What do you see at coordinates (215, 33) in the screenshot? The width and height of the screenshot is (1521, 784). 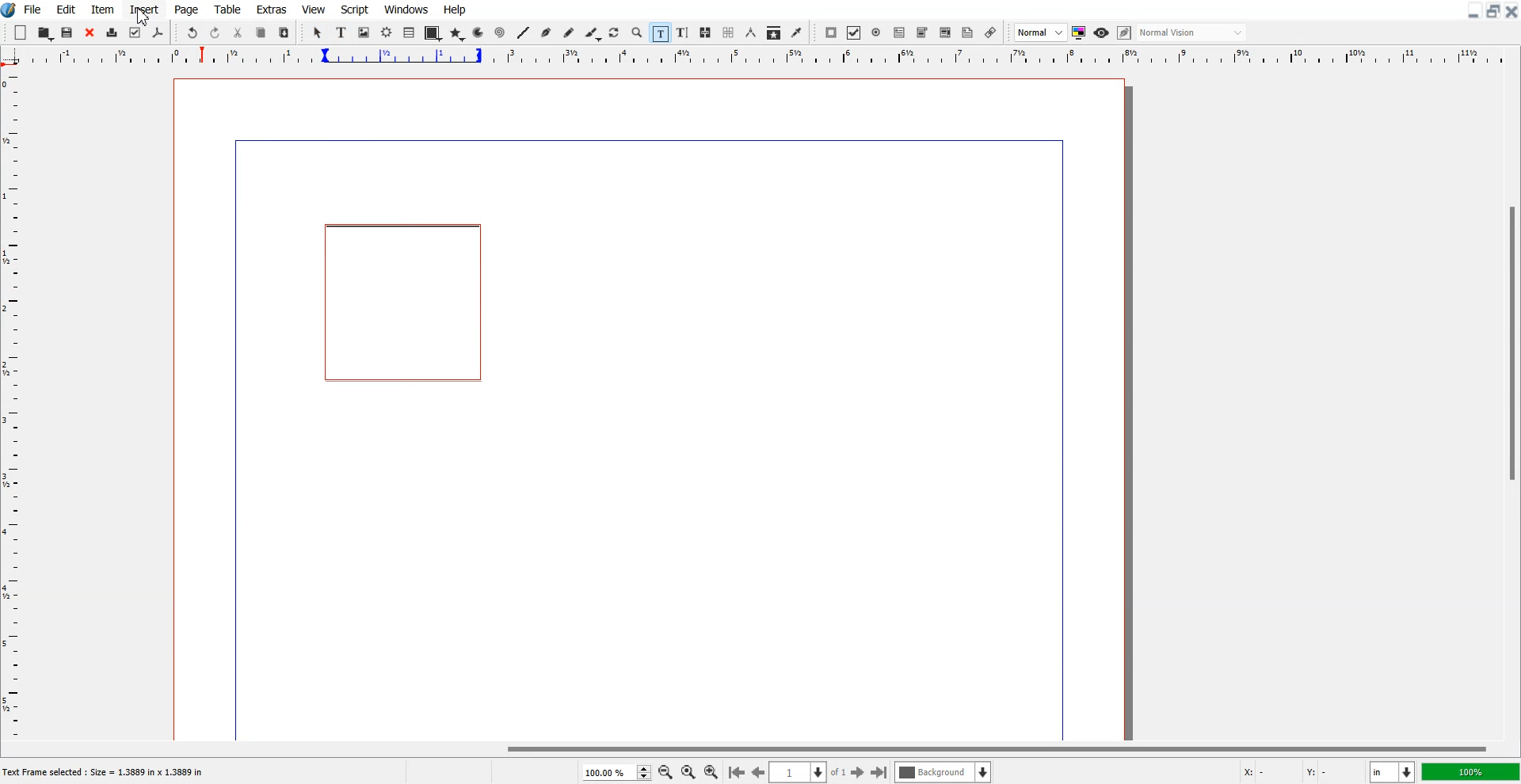 I see `Redo` at bounding box center [215, 33].